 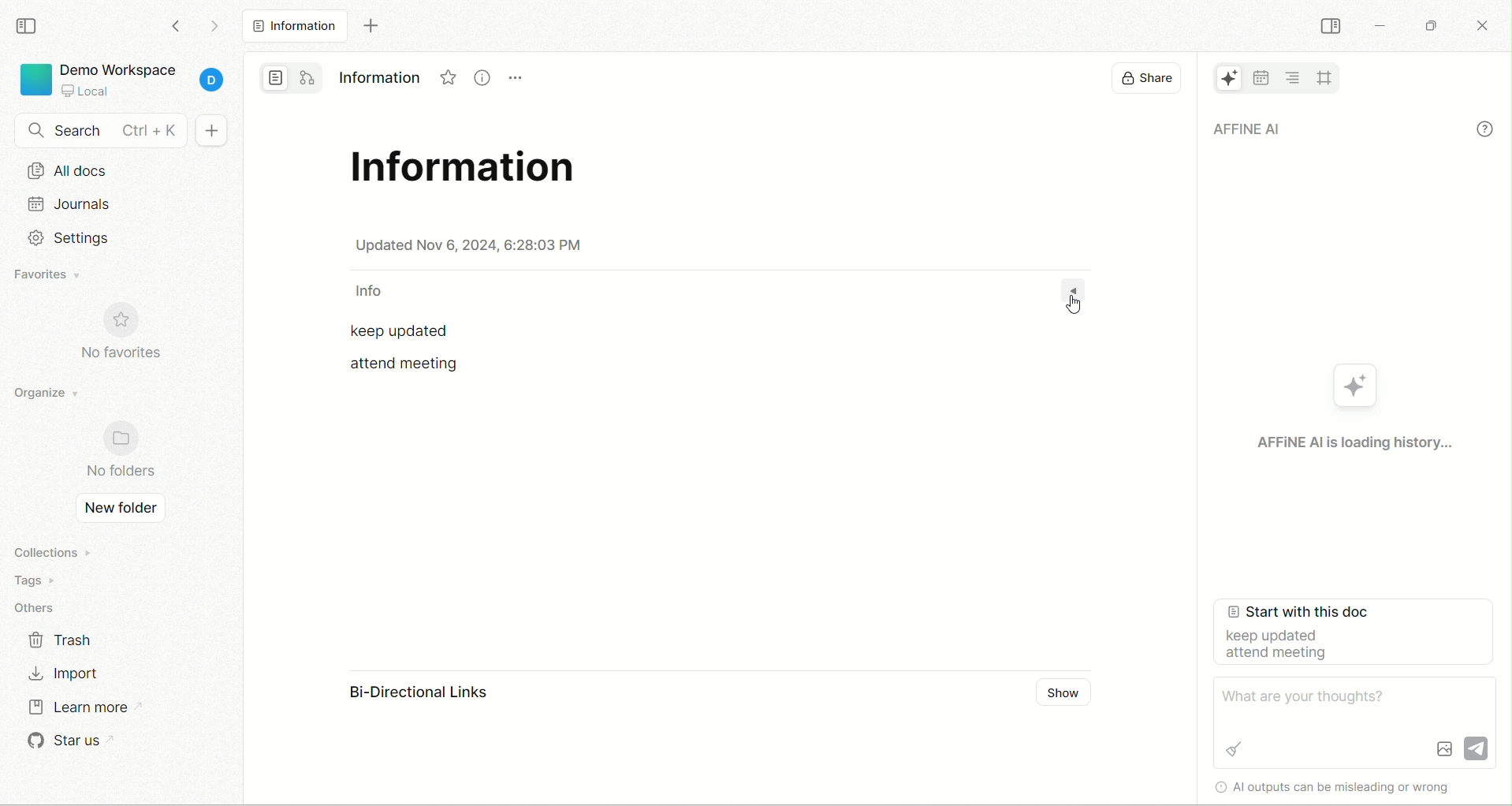 What do you see at coordinates (1294, 76) in the screenshot?
I see `table of content` at bounding box center [1294, 76].